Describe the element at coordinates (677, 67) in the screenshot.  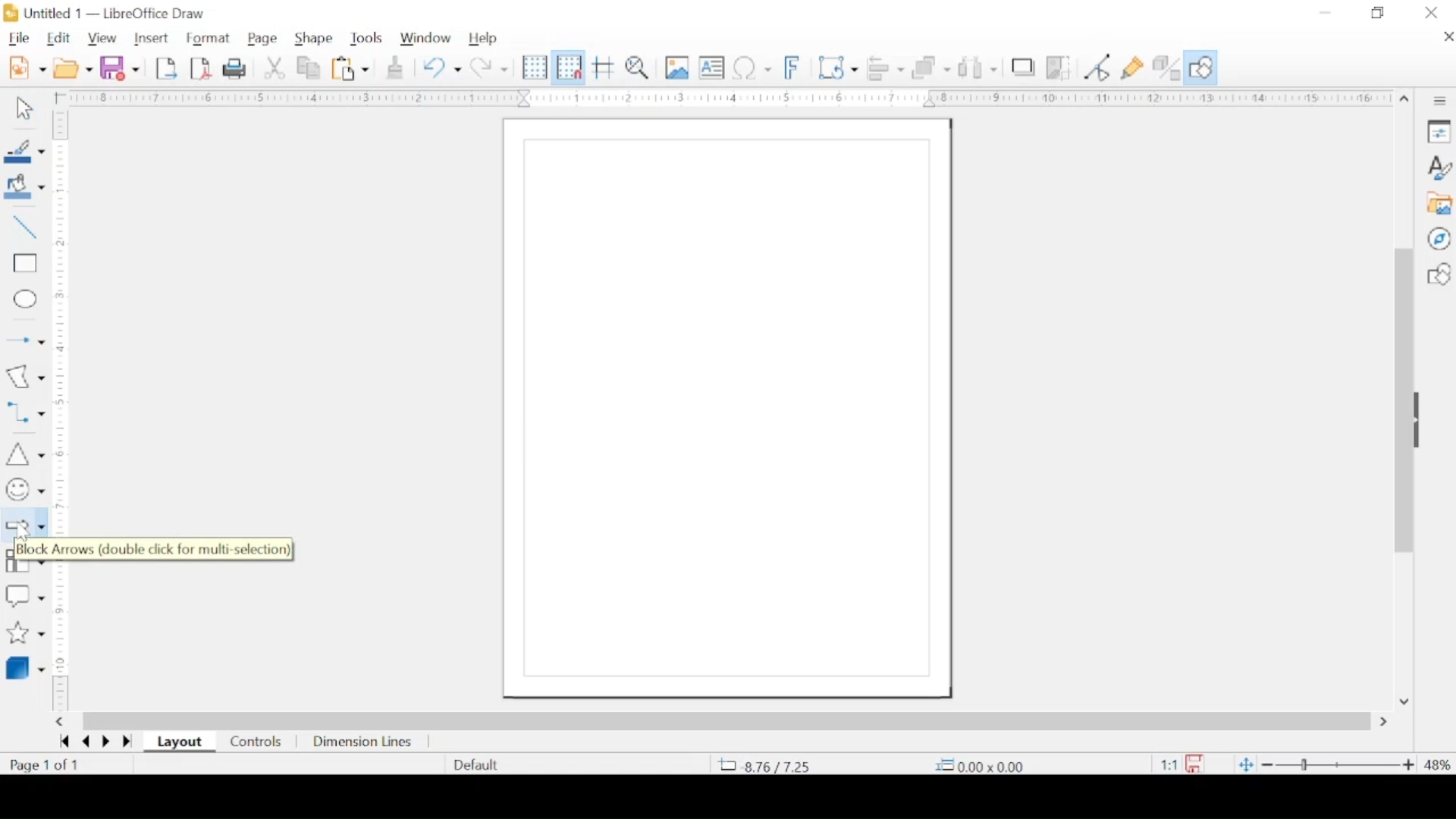
I see `insert image` at that location.